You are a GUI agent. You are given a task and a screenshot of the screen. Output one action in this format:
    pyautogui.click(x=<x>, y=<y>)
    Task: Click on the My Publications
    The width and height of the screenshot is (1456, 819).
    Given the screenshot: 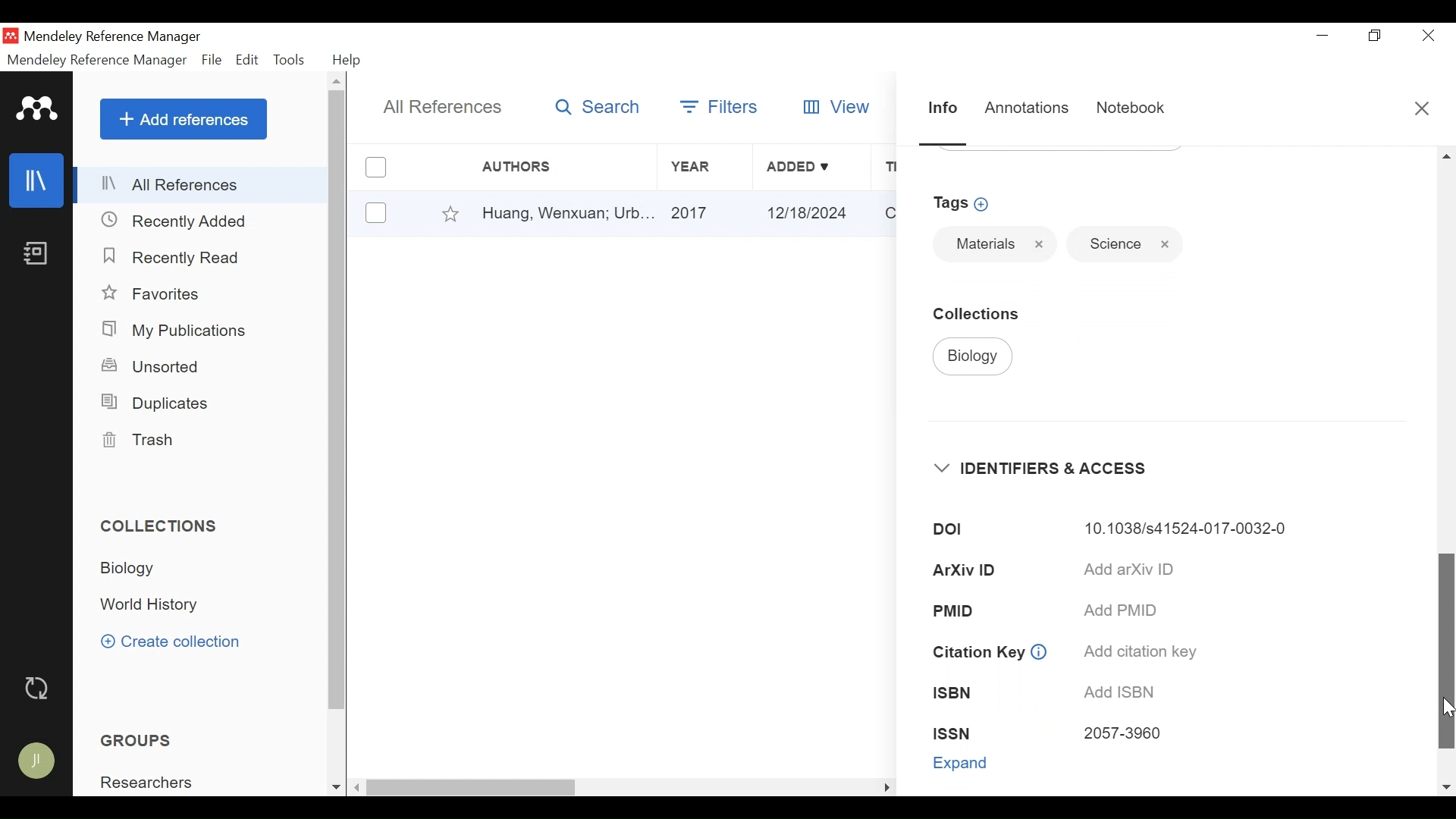 What is the action you would take?
    pyautogui.click(x=185, y=330)
    